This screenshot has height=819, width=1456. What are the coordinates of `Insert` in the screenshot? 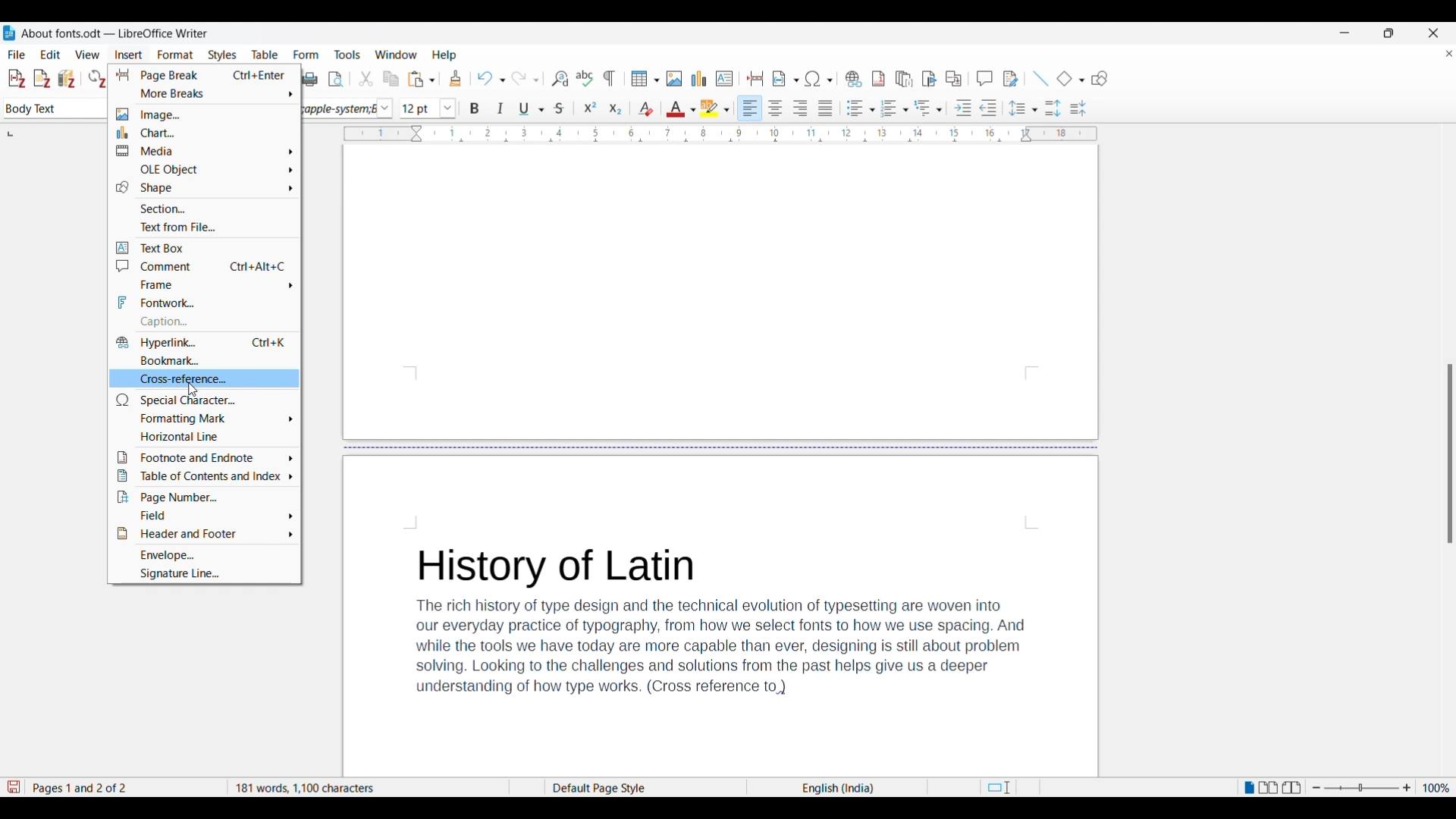 It's located at (127, 55).